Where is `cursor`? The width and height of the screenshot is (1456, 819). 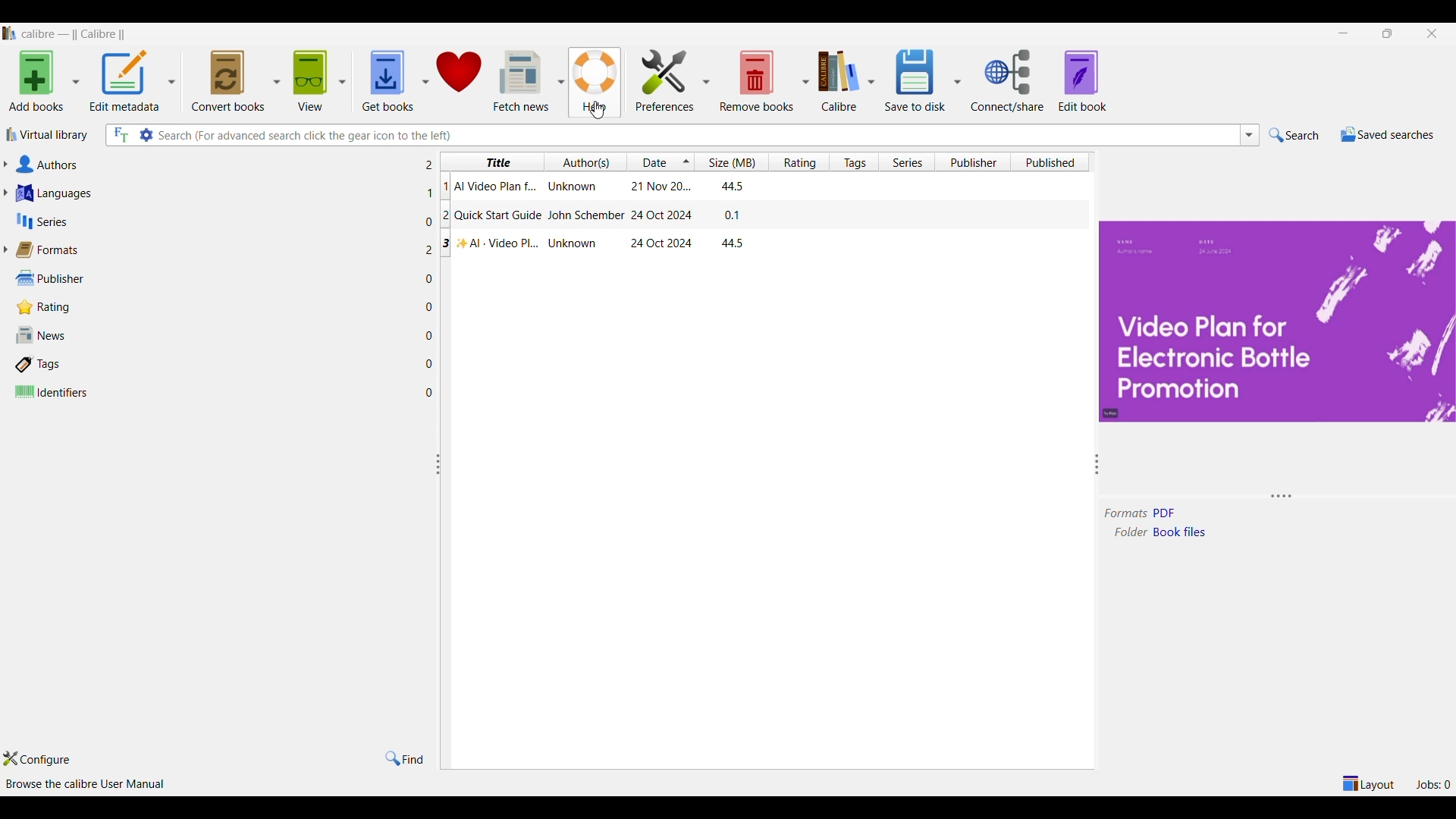 cursor is located at coordinates (601, 110).